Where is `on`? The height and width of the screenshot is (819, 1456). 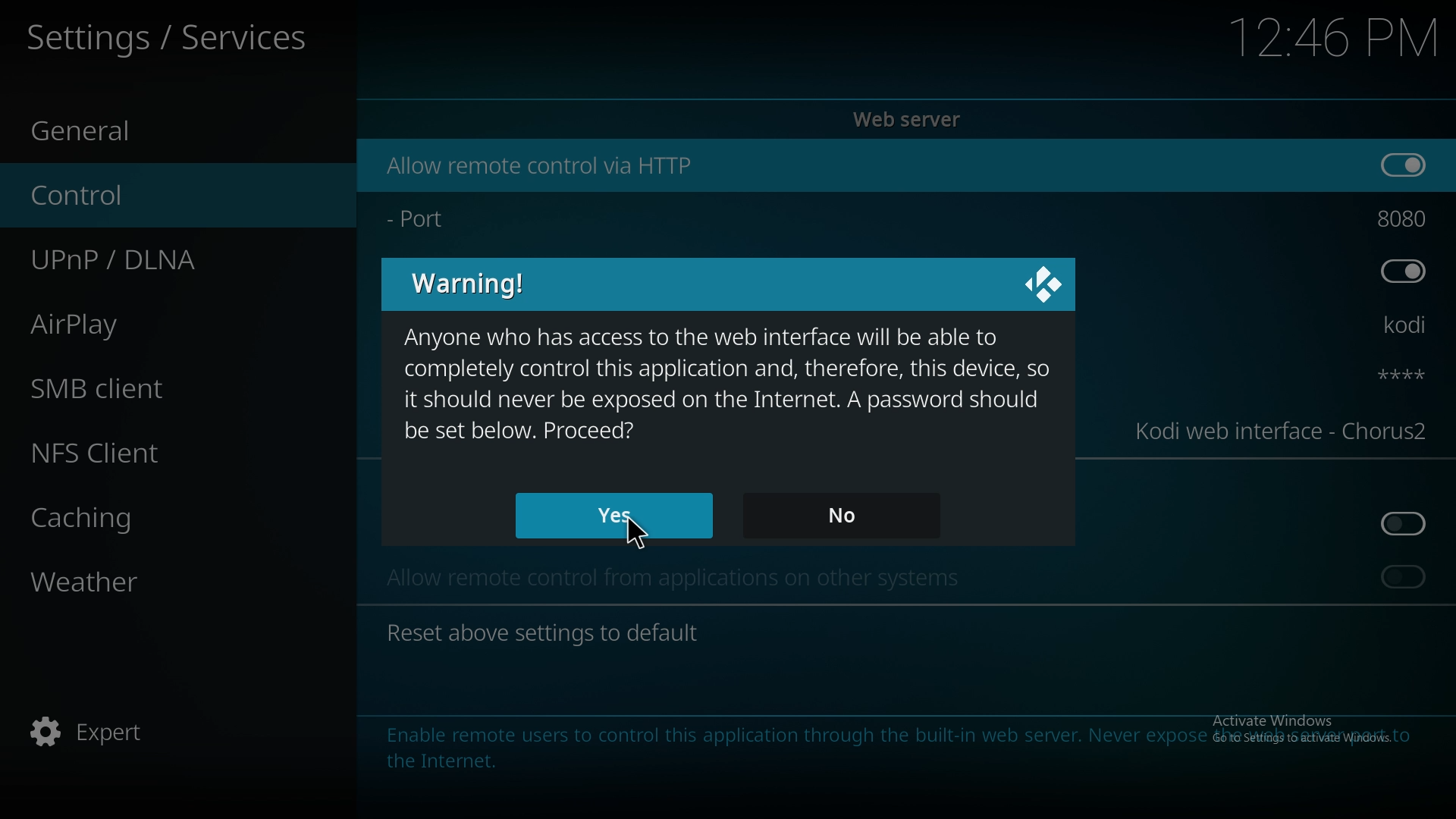 on is located at coordinates (1404, 576).